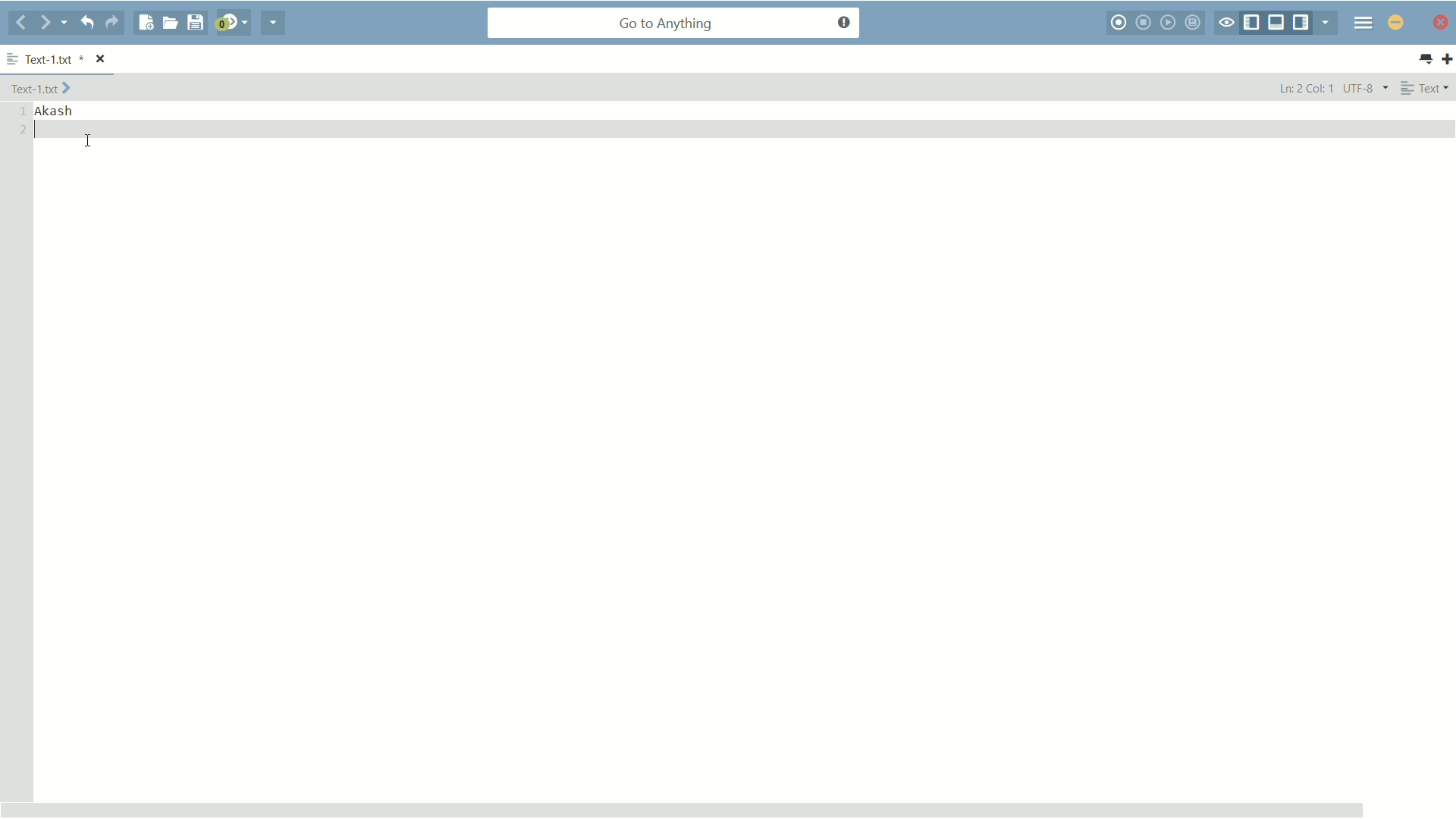 The width and height of the screenshot is (1456, 819). I want to click on show/hide bottom panel, so click(1277, 23).